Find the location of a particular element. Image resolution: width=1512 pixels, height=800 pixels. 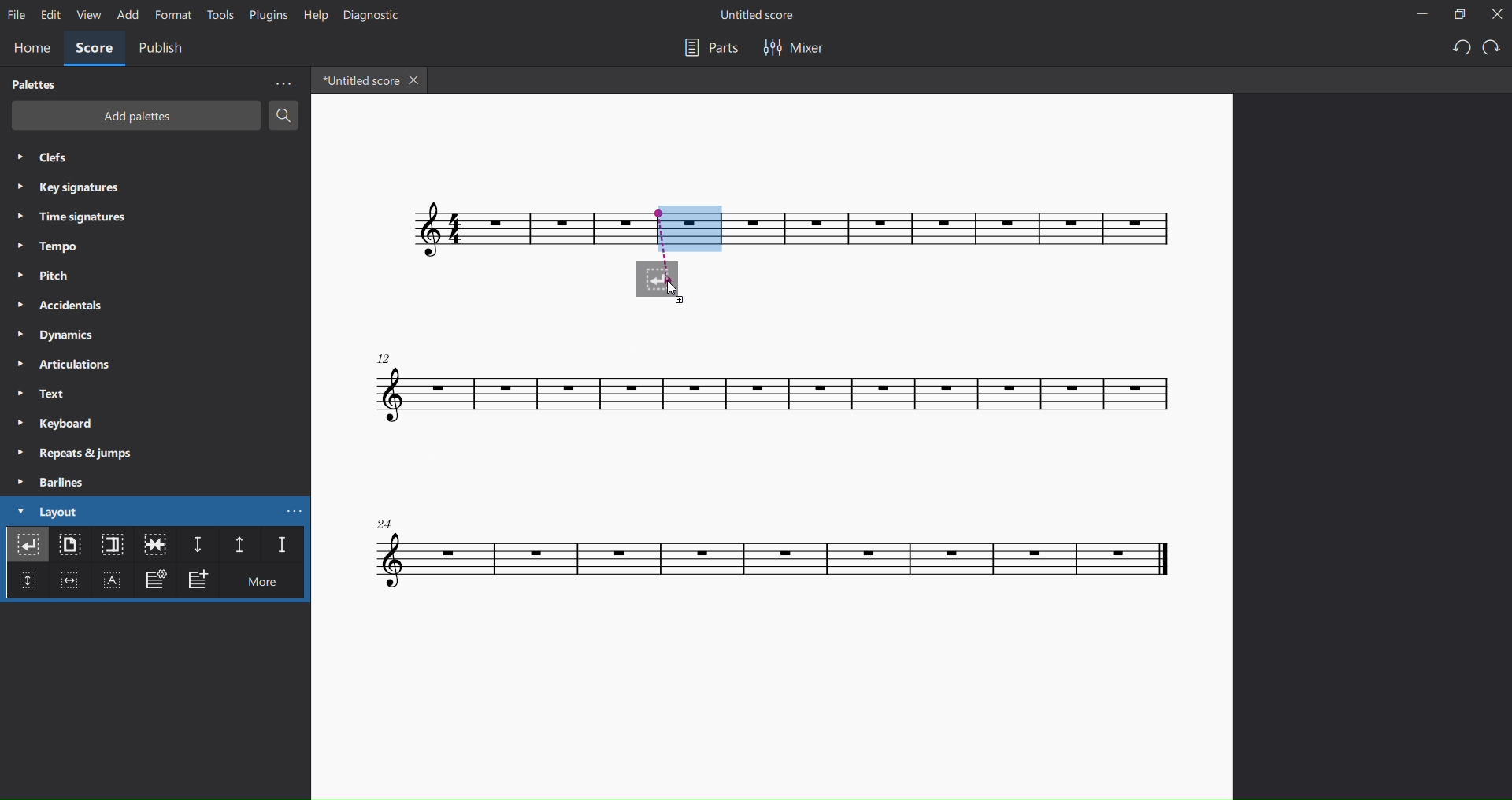

time signatures is located at coordinates (80, 216).